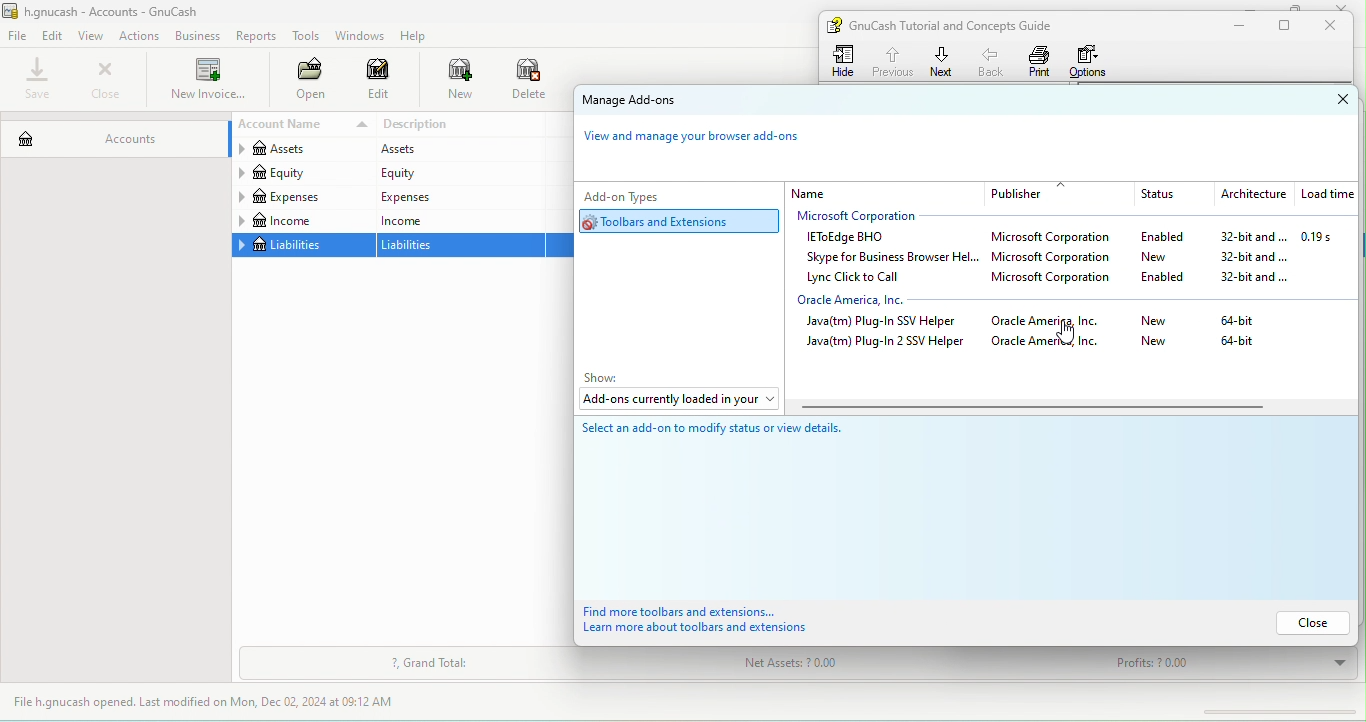 Image resolution: width=1366 pixels, height=722 pixels. Describe the element at coordinates (1244, 319) in the screenshot. I see `64 bit` at that location.